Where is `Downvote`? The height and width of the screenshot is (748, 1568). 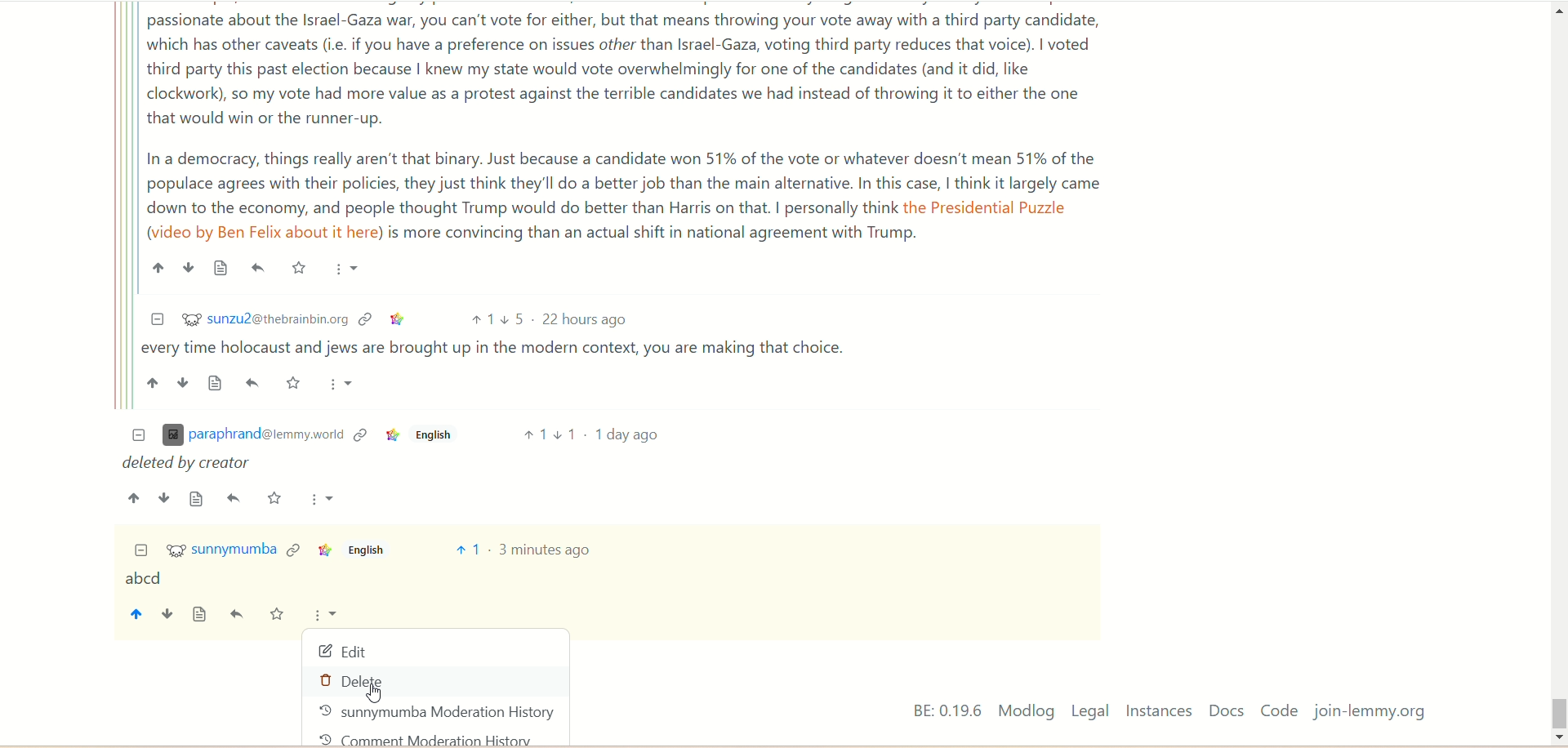
Downvote is located at coordinates (184, 382).